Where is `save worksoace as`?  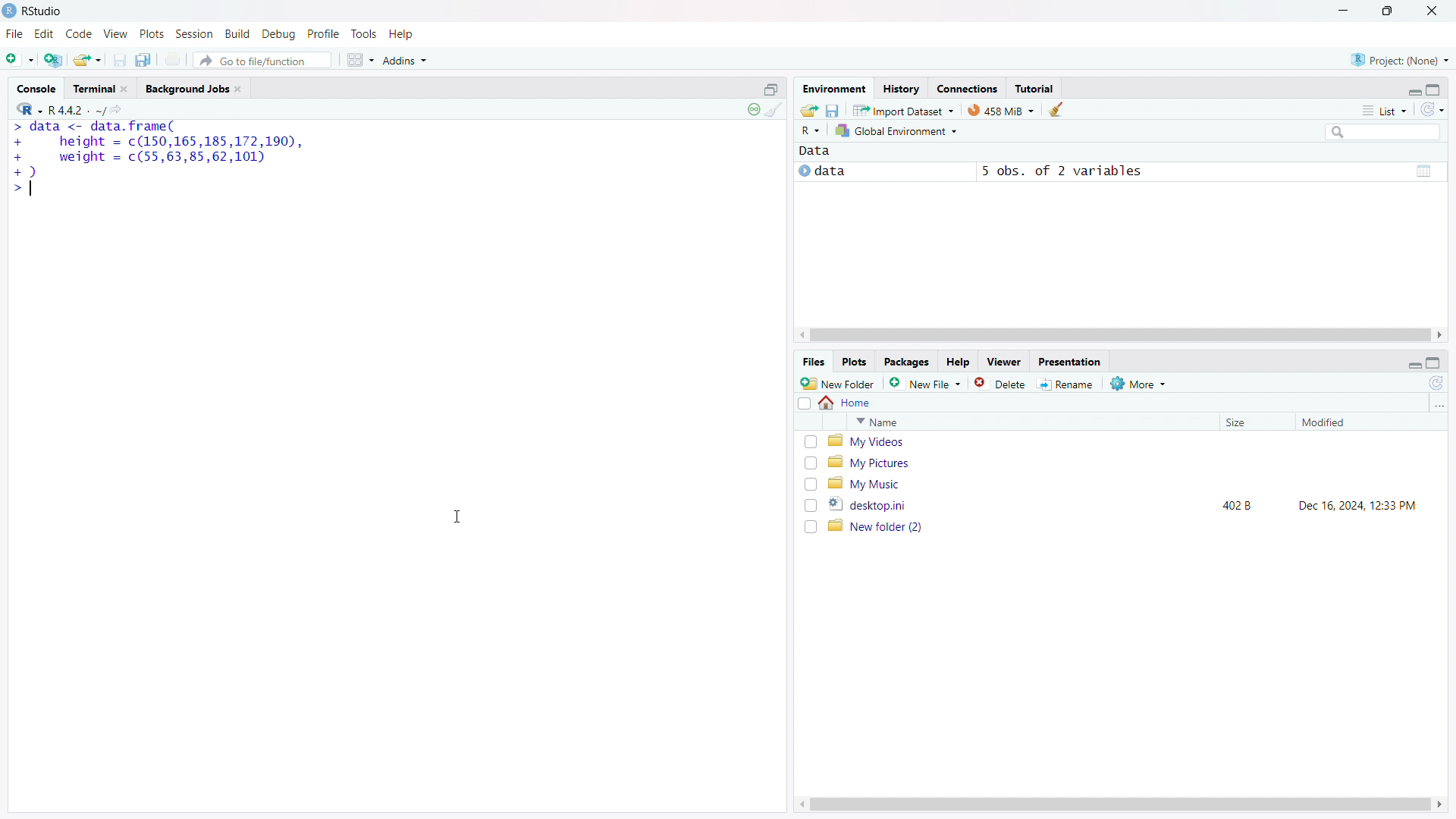
save worksoace as is located at coordinates (833, 109).